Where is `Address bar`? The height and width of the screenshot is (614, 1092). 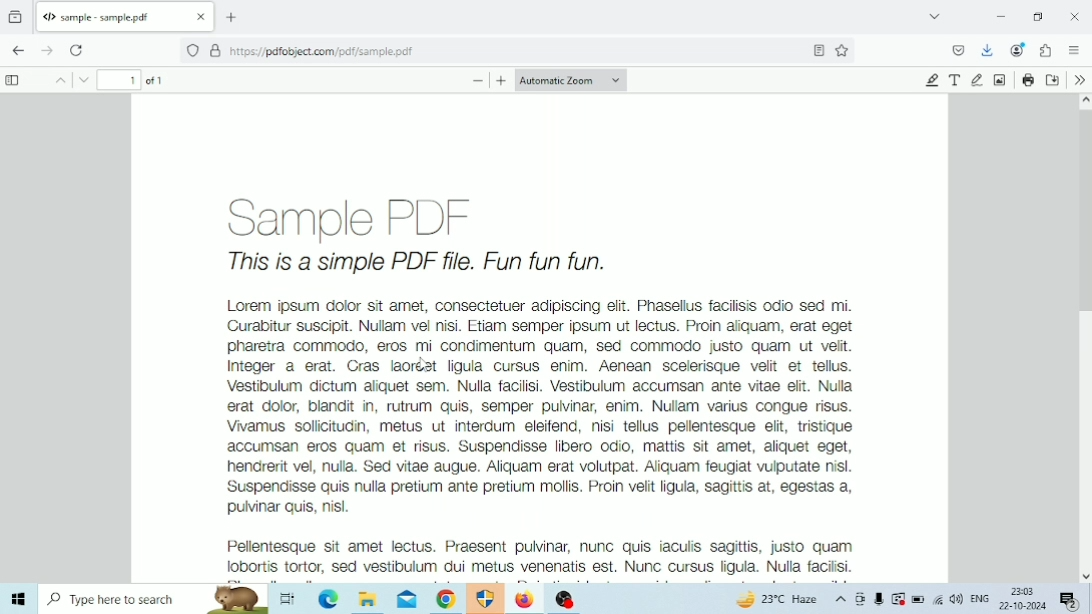
Address bar is located at coordinates (501, 51).